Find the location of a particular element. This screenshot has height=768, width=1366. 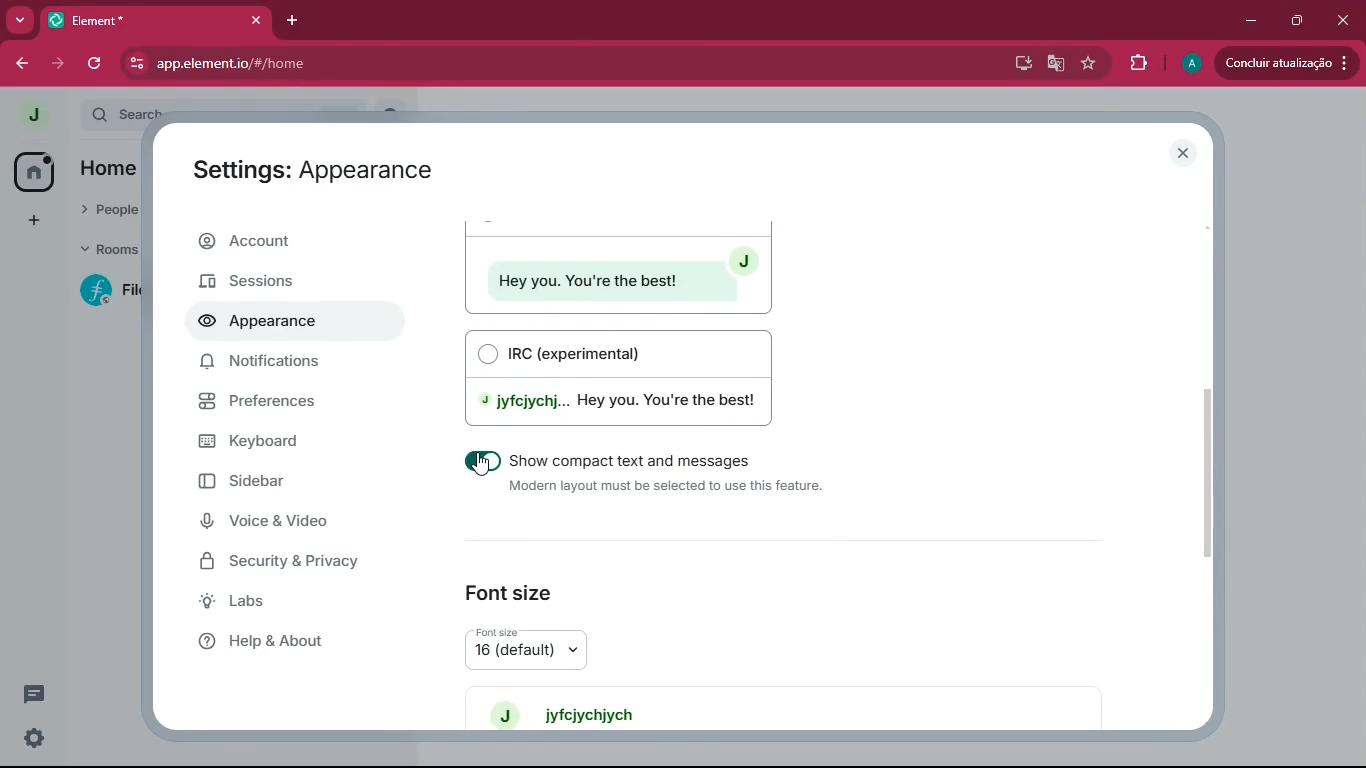

back is located at coordinates (23, 65).